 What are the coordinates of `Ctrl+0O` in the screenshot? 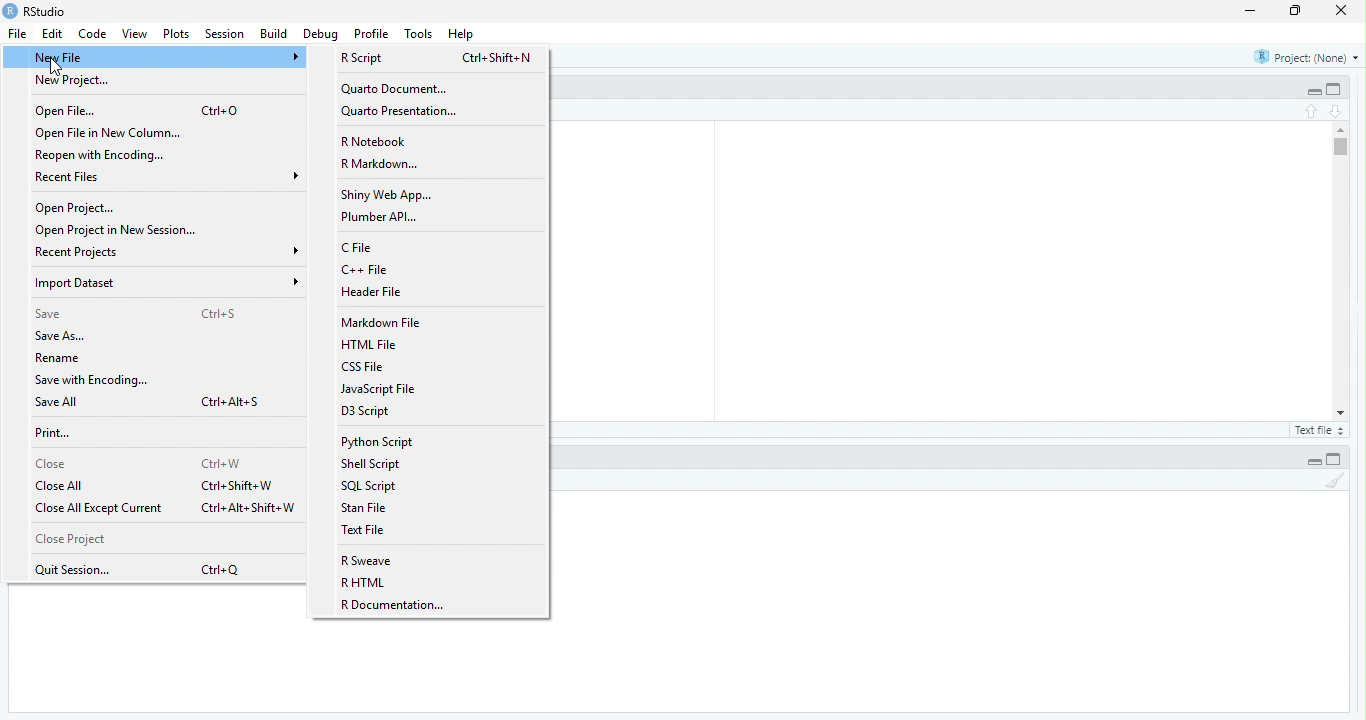 It's located at (221, 111).